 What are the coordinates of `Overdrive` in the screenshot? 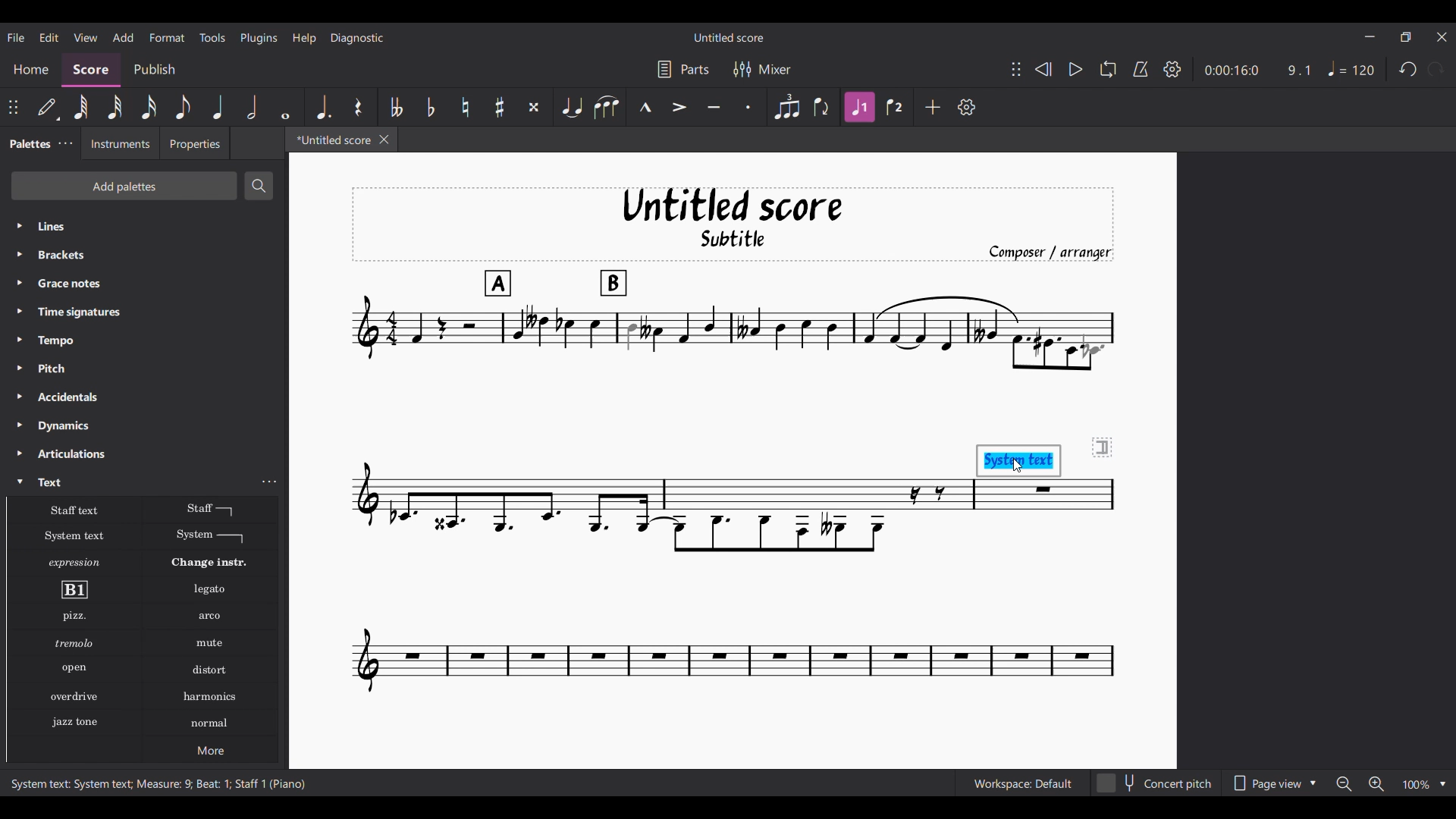 It's located at (74, 696).